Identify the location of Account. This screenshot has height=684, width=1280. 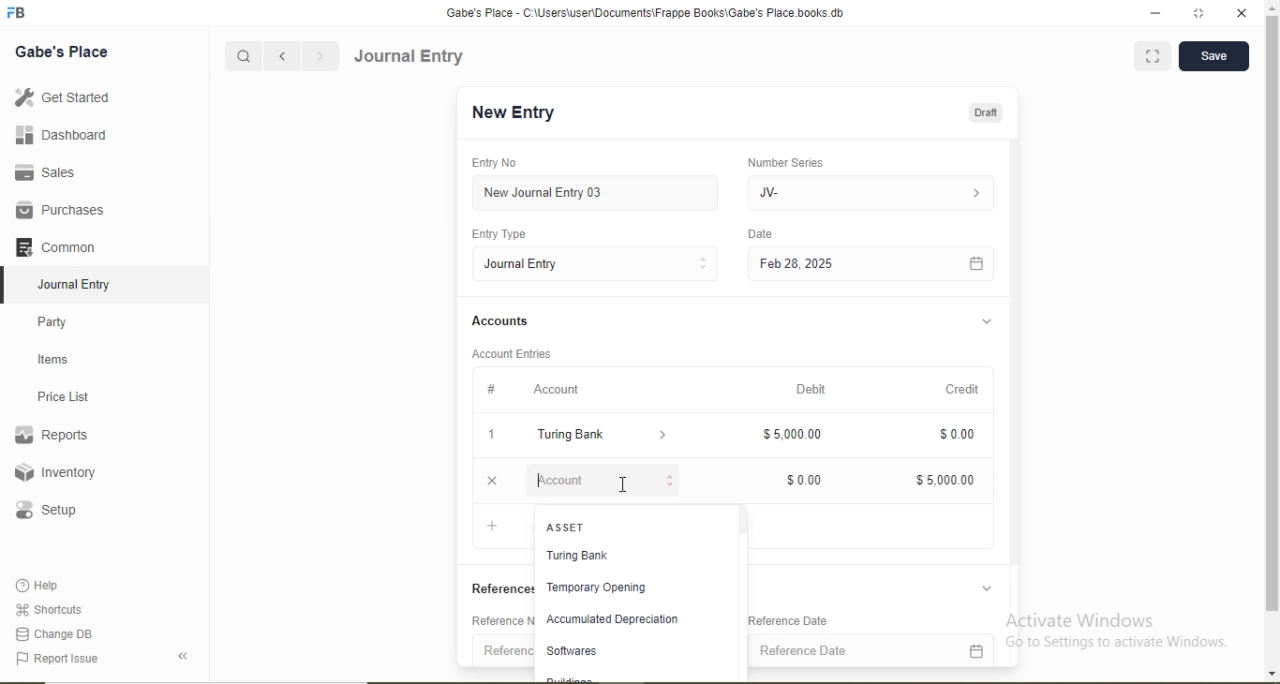
(561, 480).